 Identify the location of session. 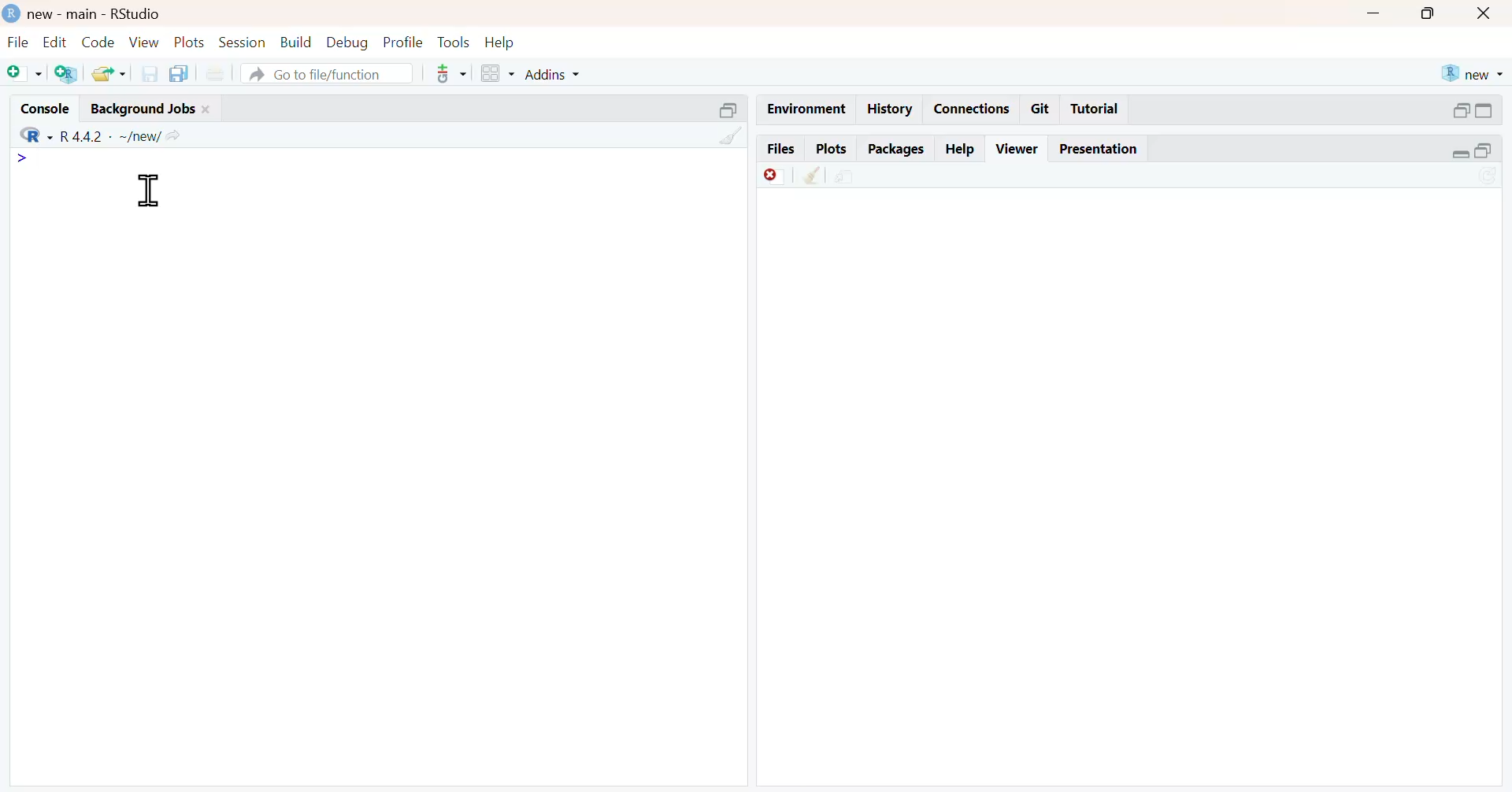
(244, 43).